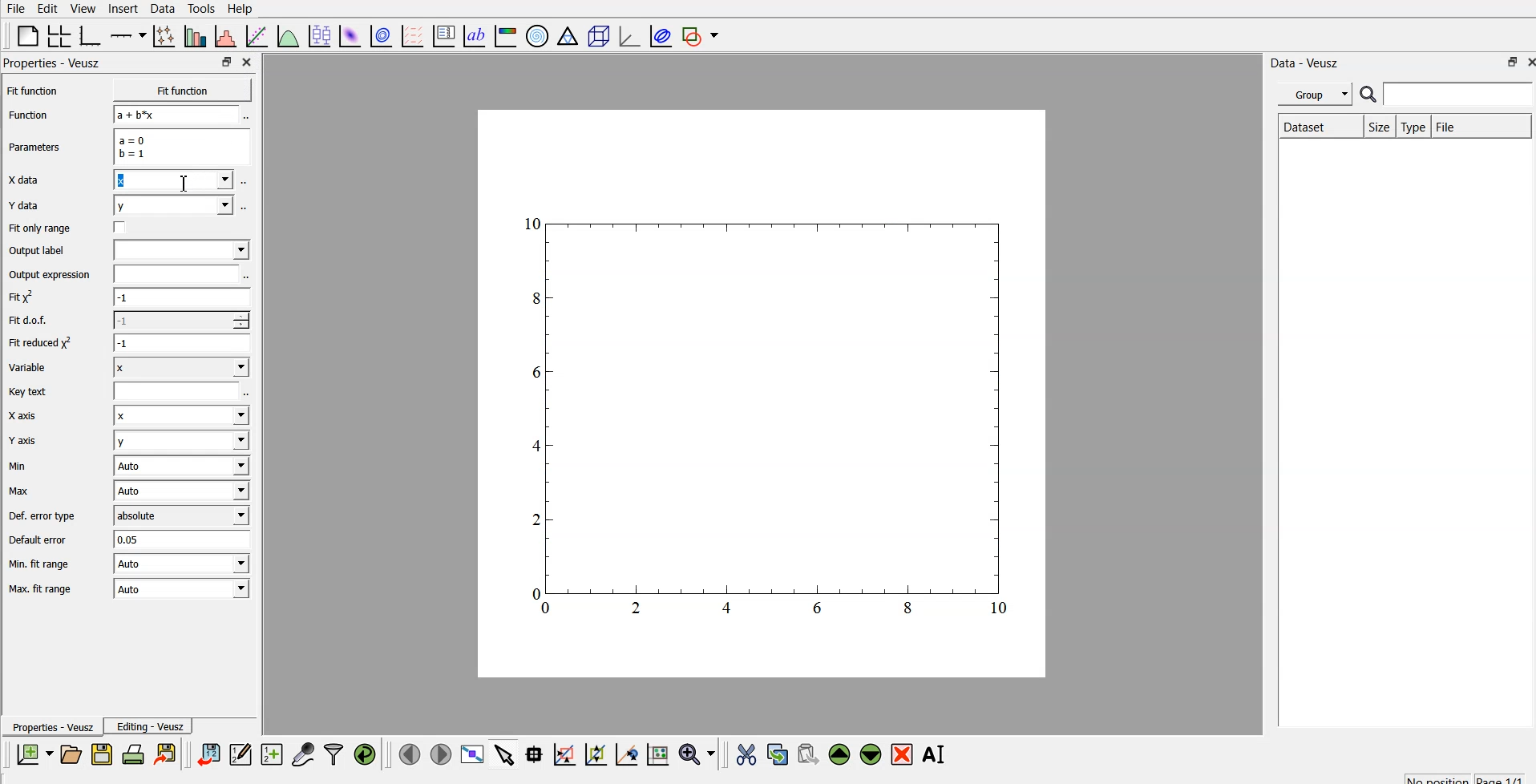 The image size is (1536, 784). Describe the element at coordinates (183, 440) in the screenshot. I see `y` at that location.